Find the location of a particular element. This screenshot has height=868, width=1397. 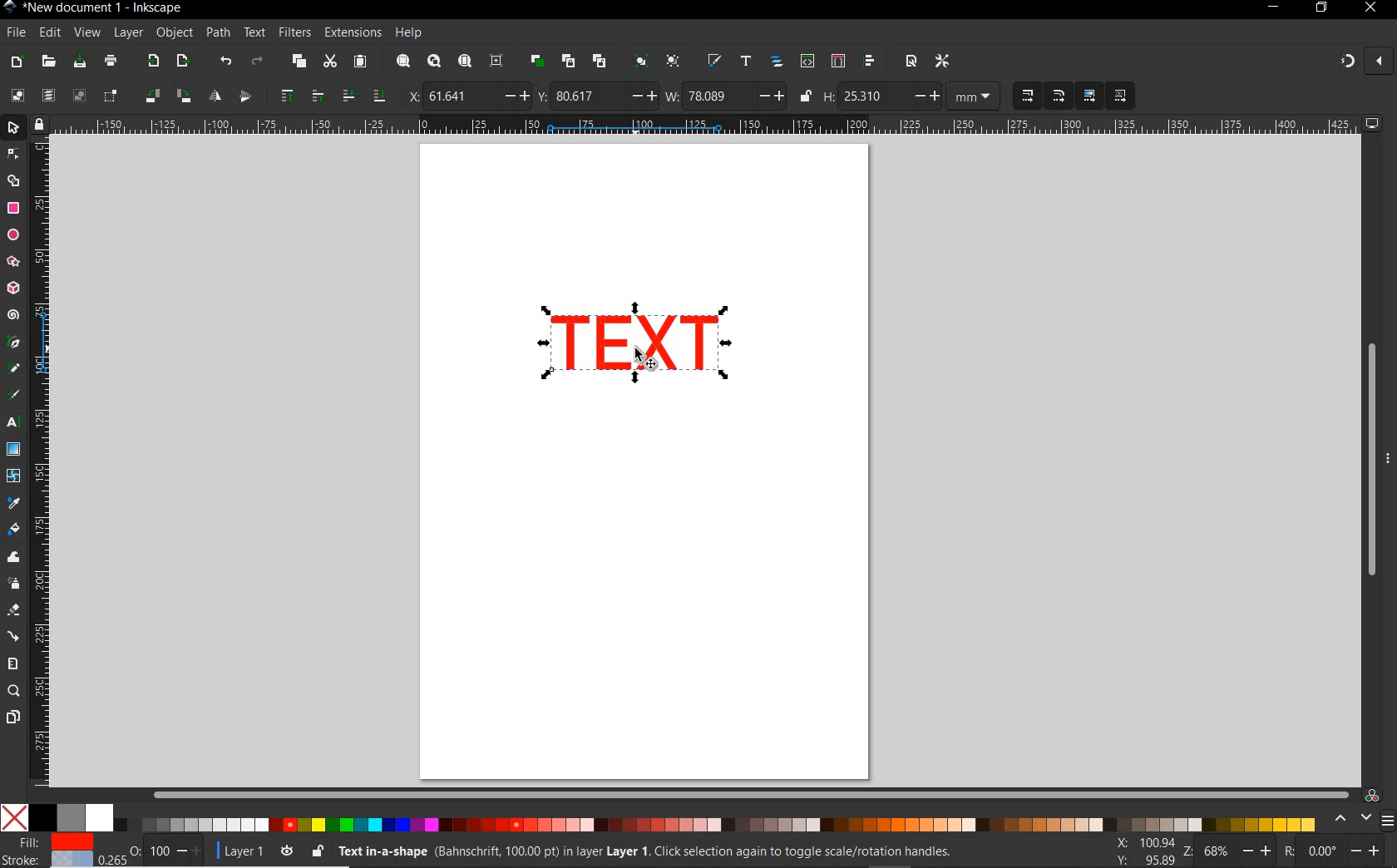

text tool is located at coordinates (15, 424).